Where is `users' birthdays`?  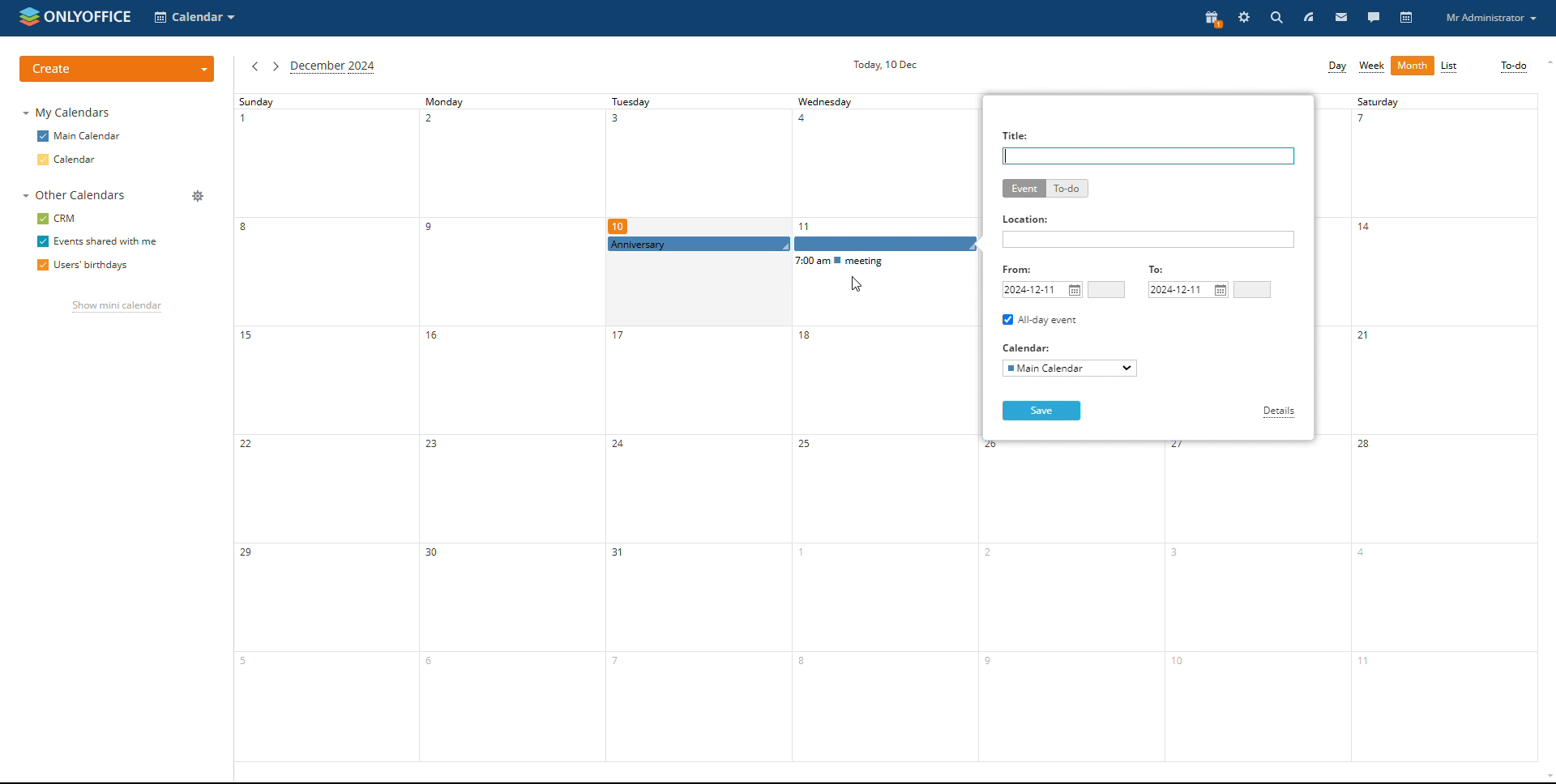 users' birthdays is located at coordinates (83, 266).